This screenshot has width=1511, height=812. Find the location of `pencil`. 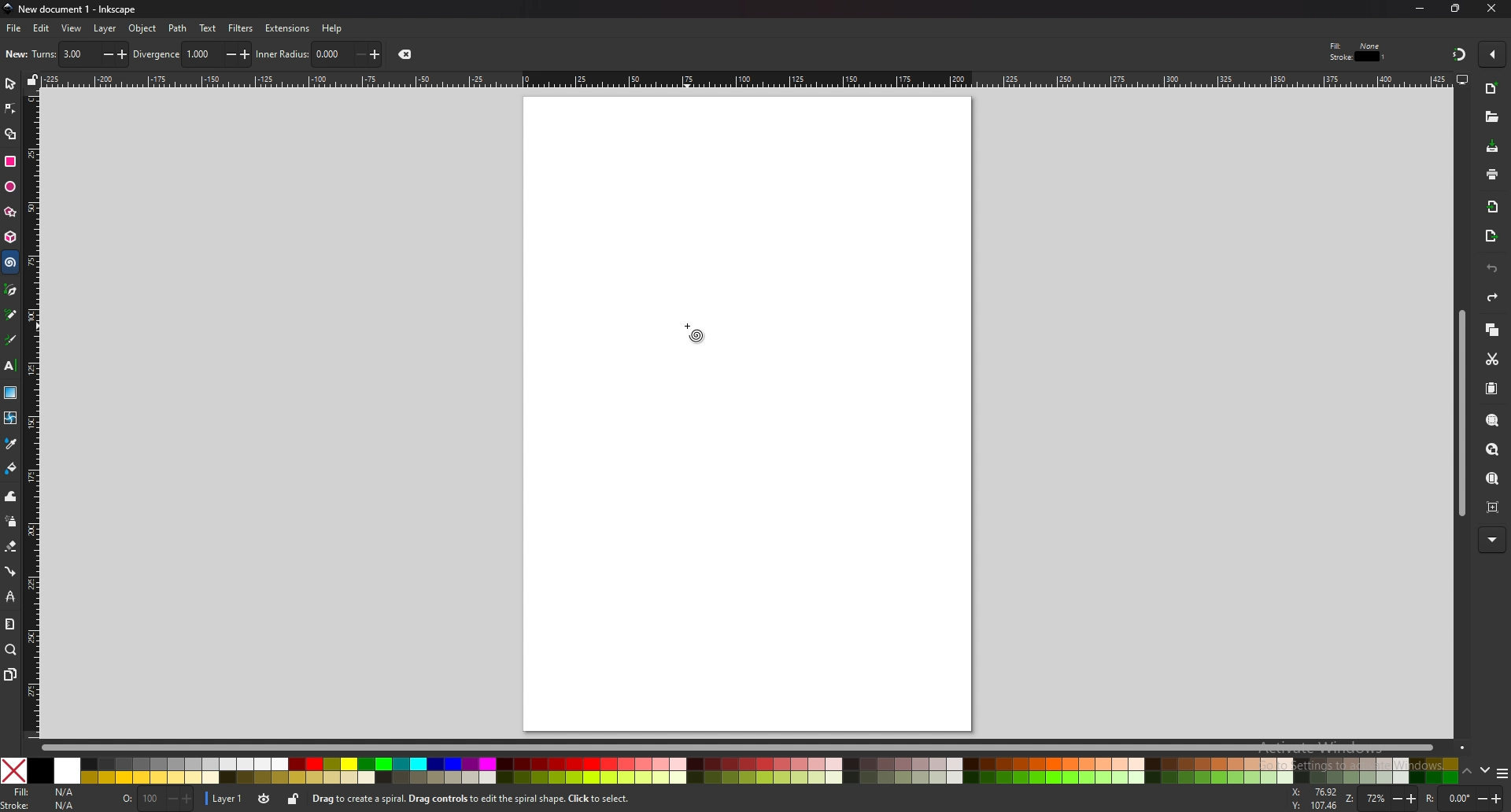

pencil is located at coordinates (13, 314).